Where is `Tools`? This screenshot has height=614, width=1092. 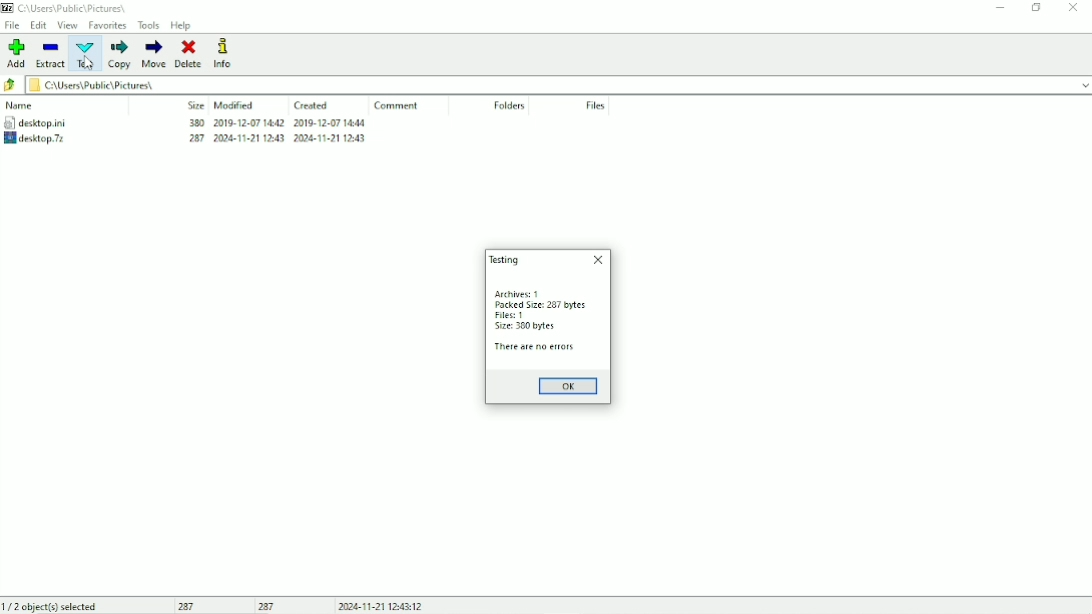
Tools is located at coordinates (149, 25).